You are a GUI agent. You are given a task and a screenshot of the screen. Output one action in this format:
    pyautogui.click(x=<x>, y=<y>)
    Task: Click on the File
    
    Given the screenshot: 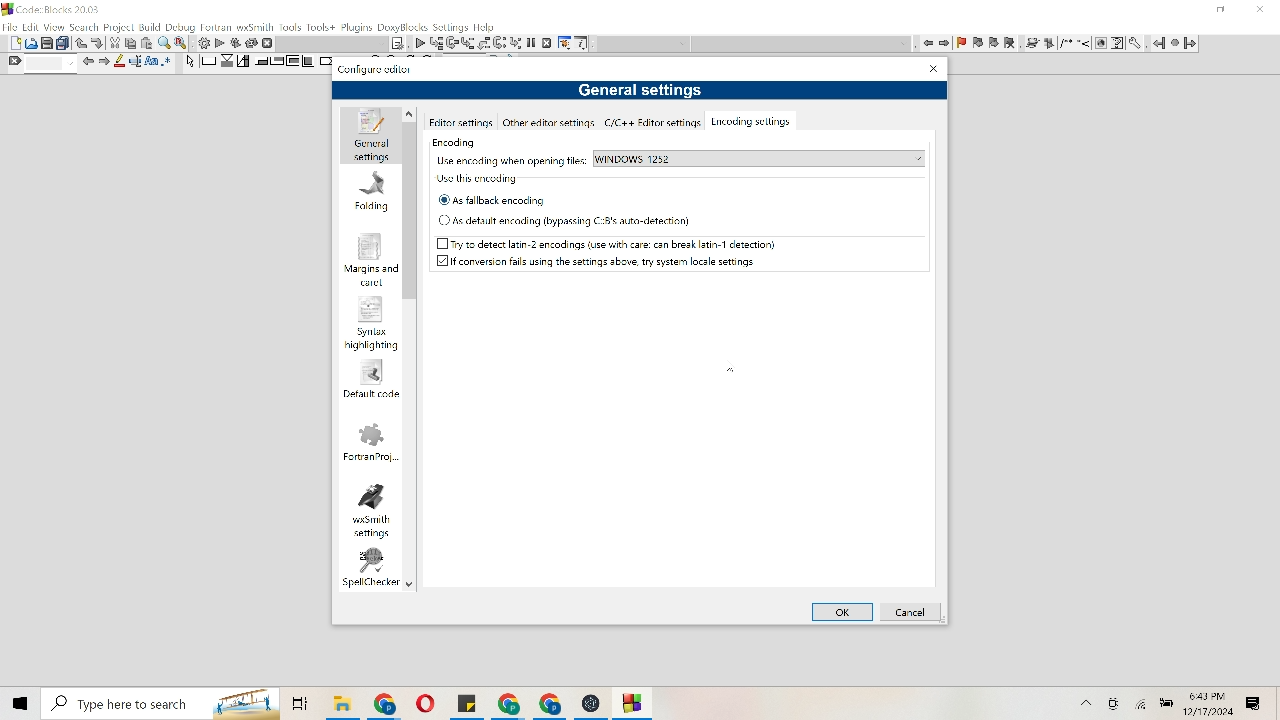 What is the action you would take?
    pyautogui.click(x=424, y=703)
    